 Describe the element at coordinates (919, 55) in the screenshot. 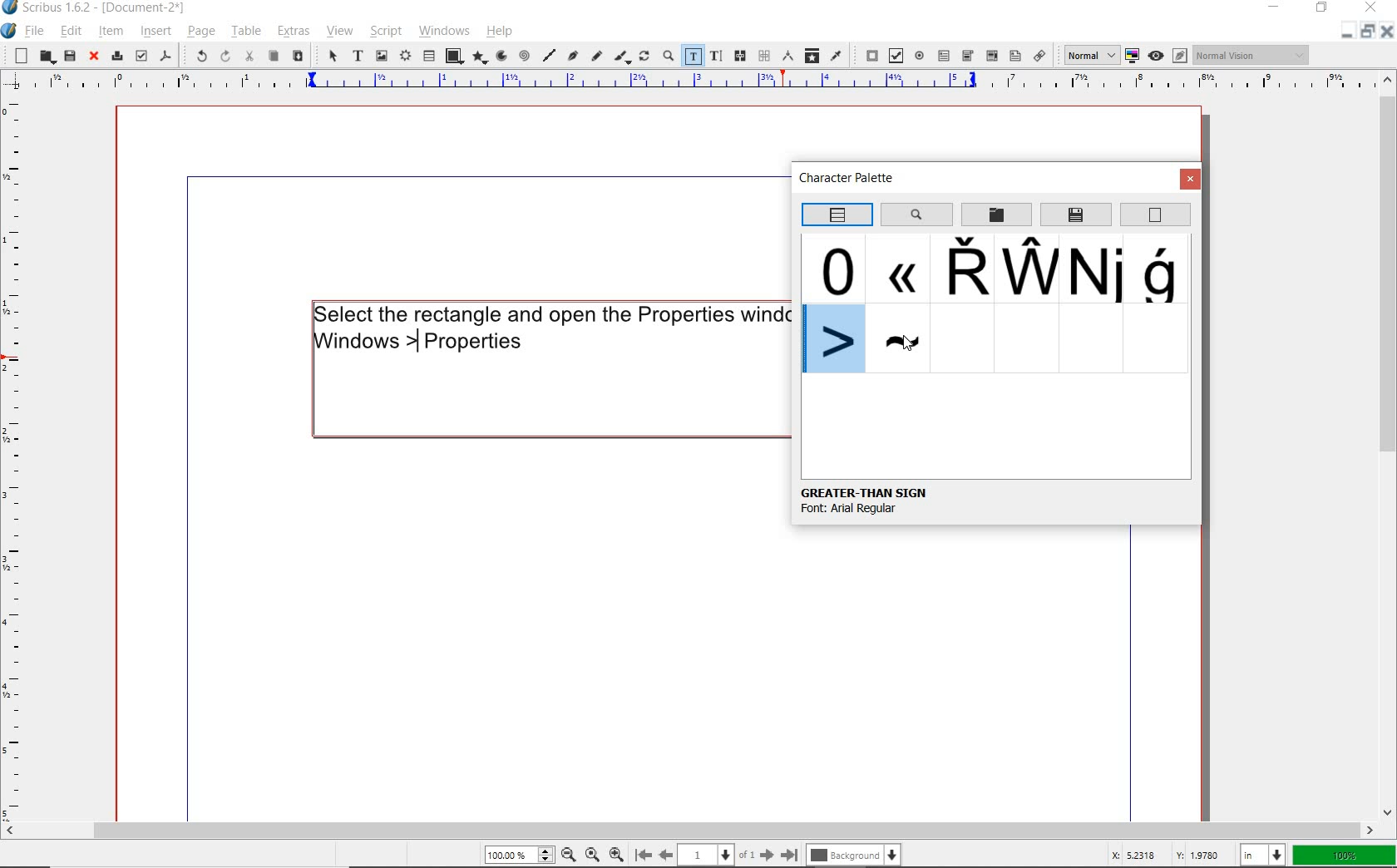

I see `pdf radio button` at that location.